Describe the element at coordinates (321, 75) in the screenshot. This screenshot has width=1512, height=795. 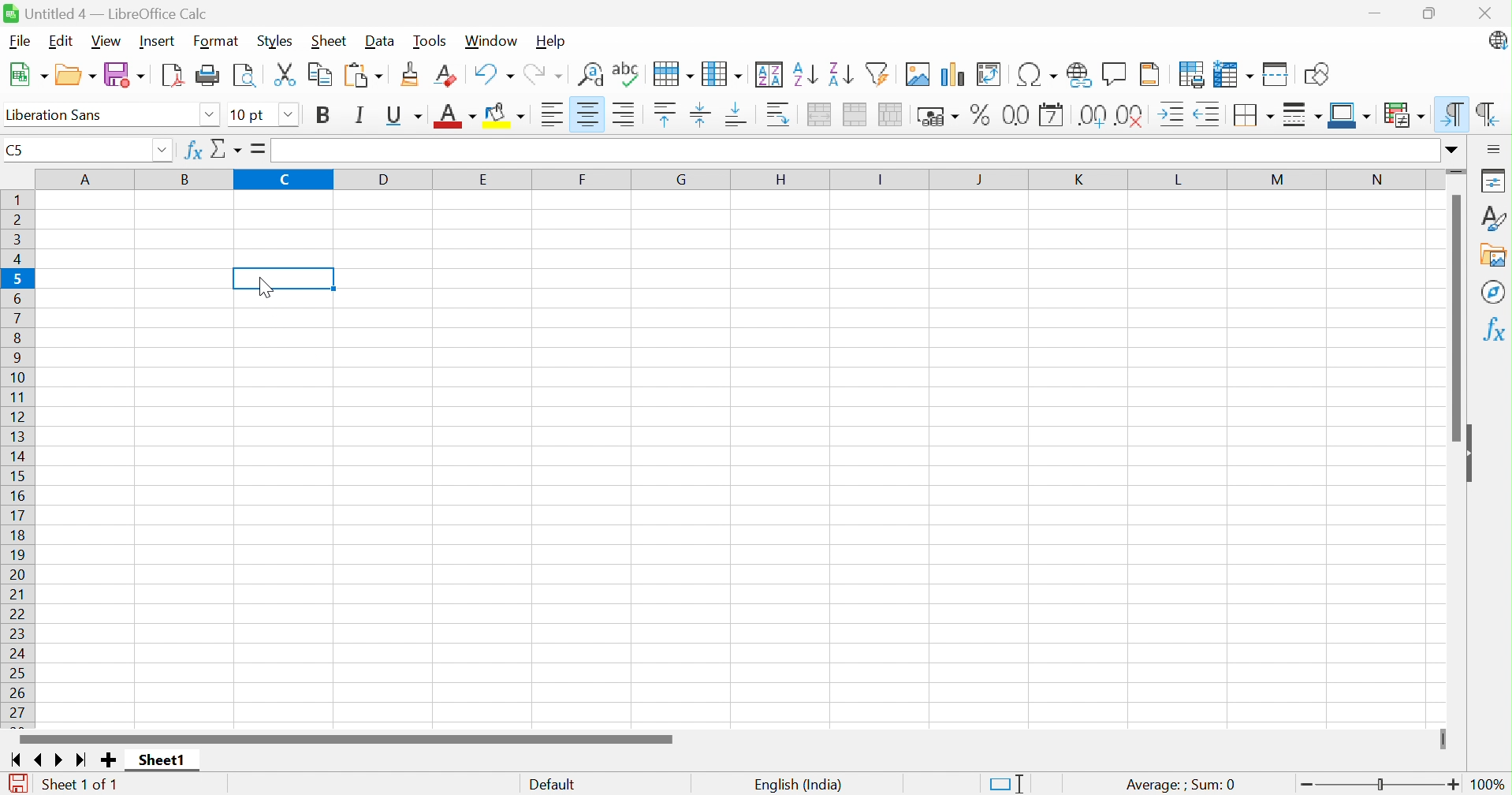
I see `Copy` at that location.